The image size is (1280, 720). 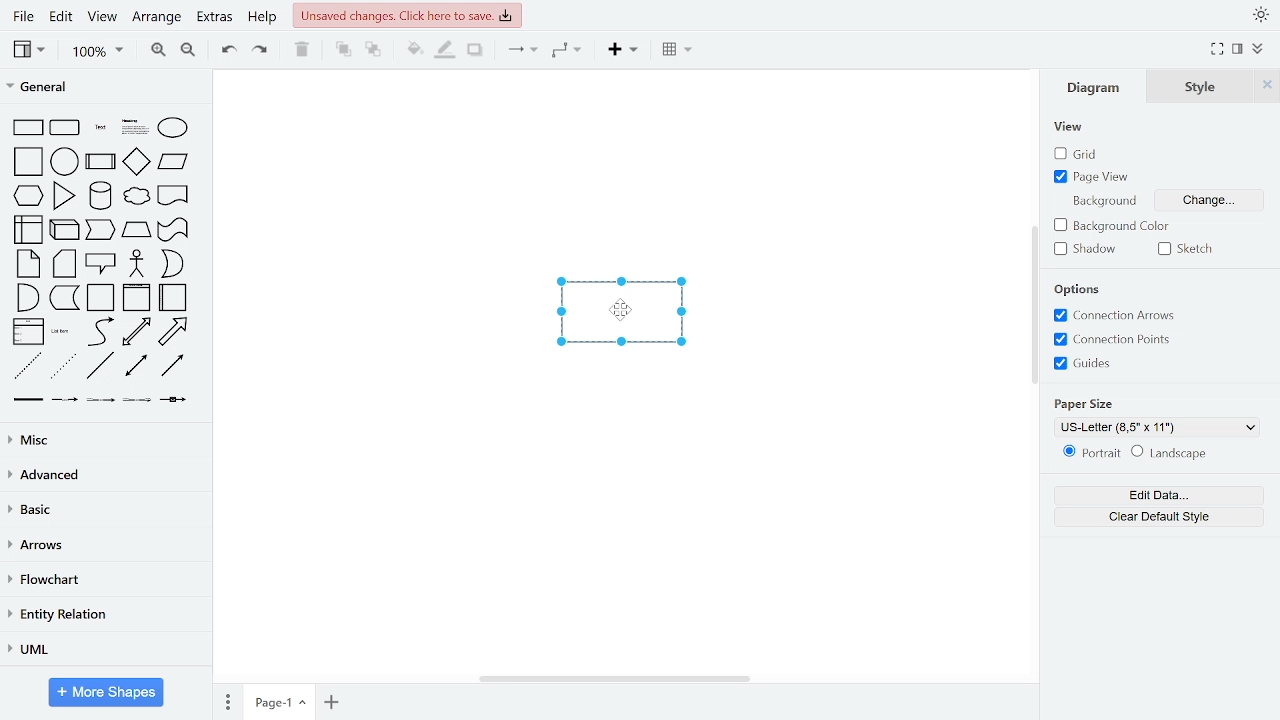 I want to click on shadow, so click(x=478, y=51).